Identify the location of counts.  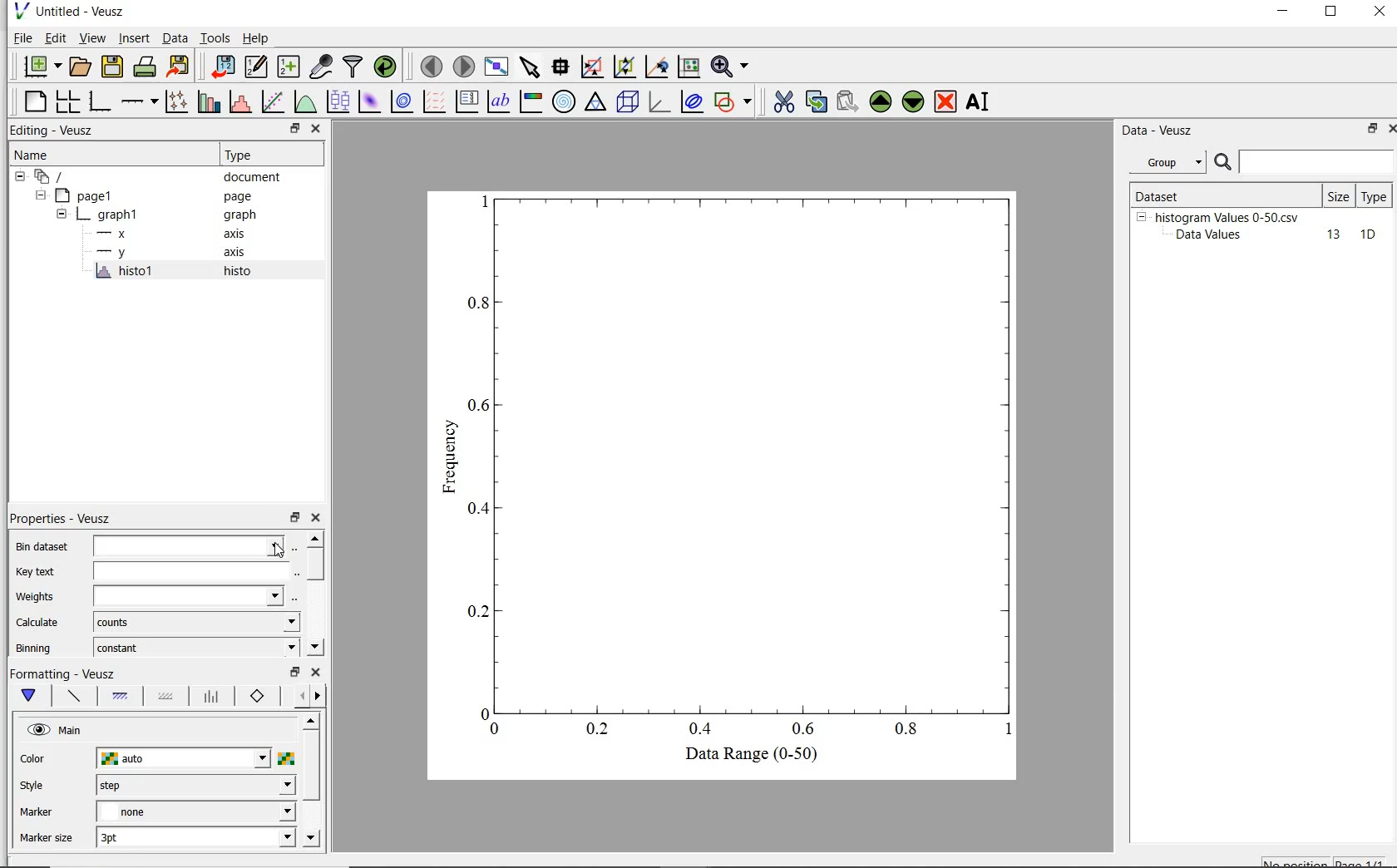
(195, 622).